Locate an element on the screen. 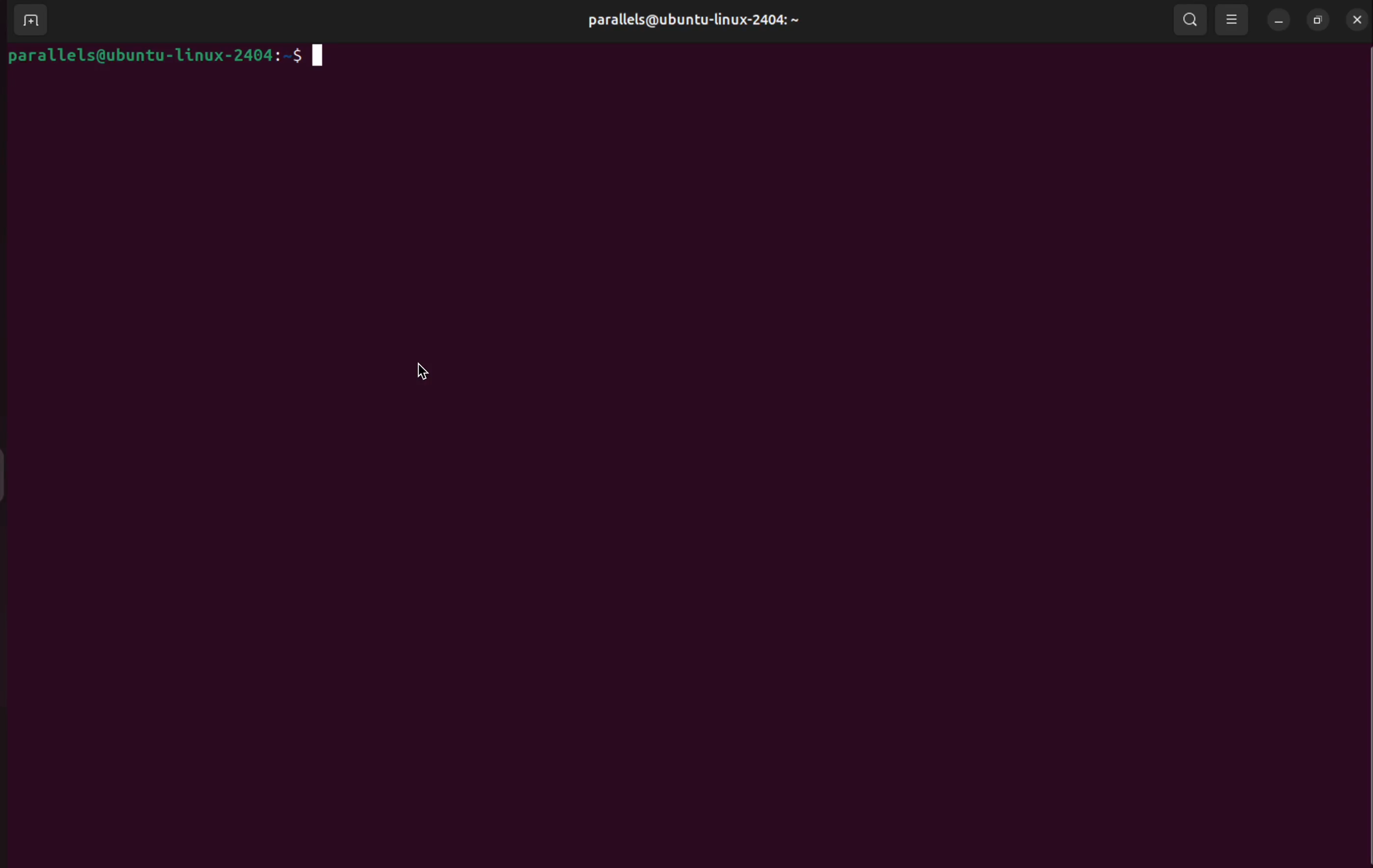 The height and width of the screenshot is (868, 1373). minimum is located at coordinates (1276, 22).